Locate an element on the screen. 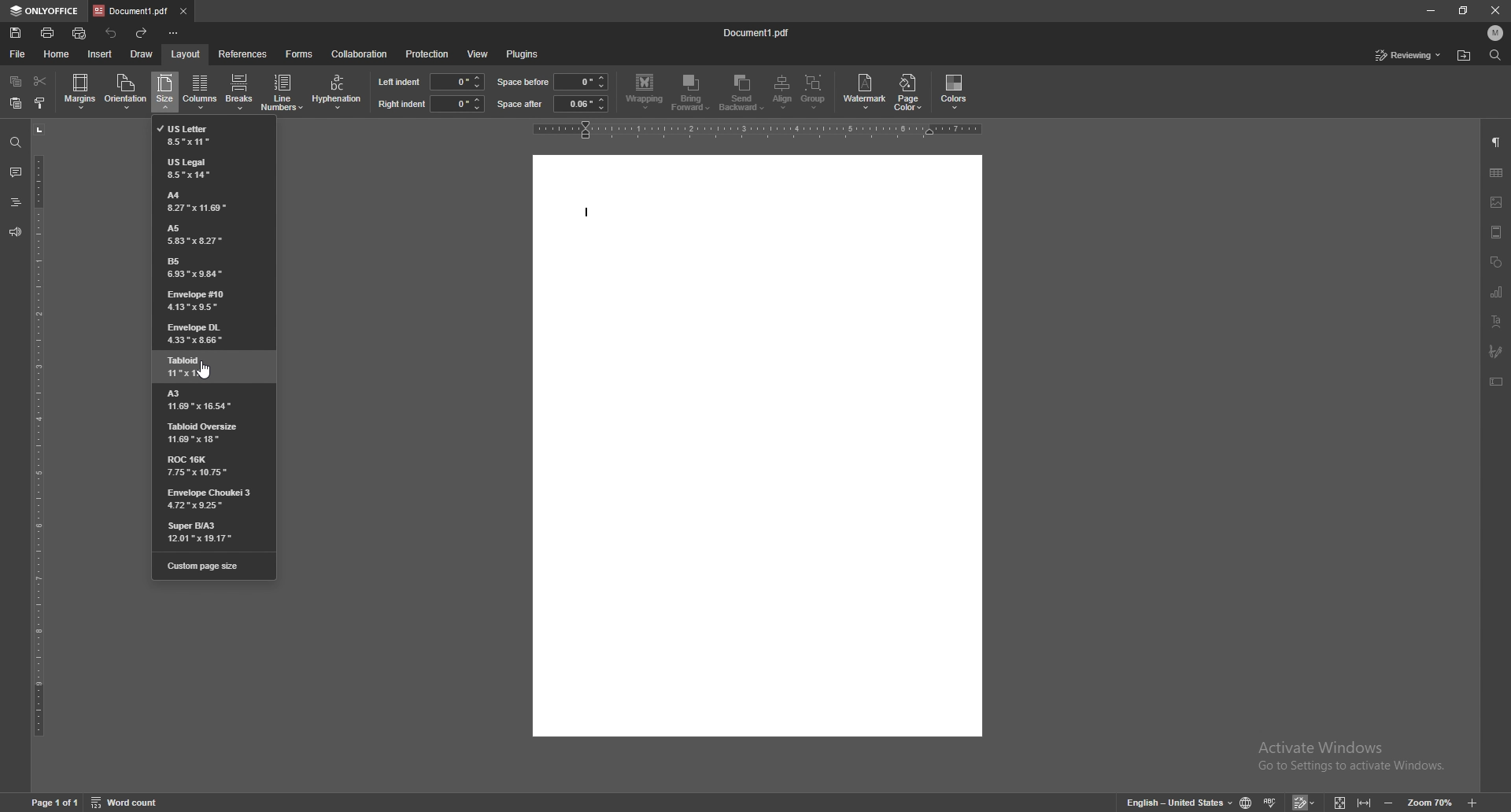  Page 1 of 1 is located at coordinates (51, 803).